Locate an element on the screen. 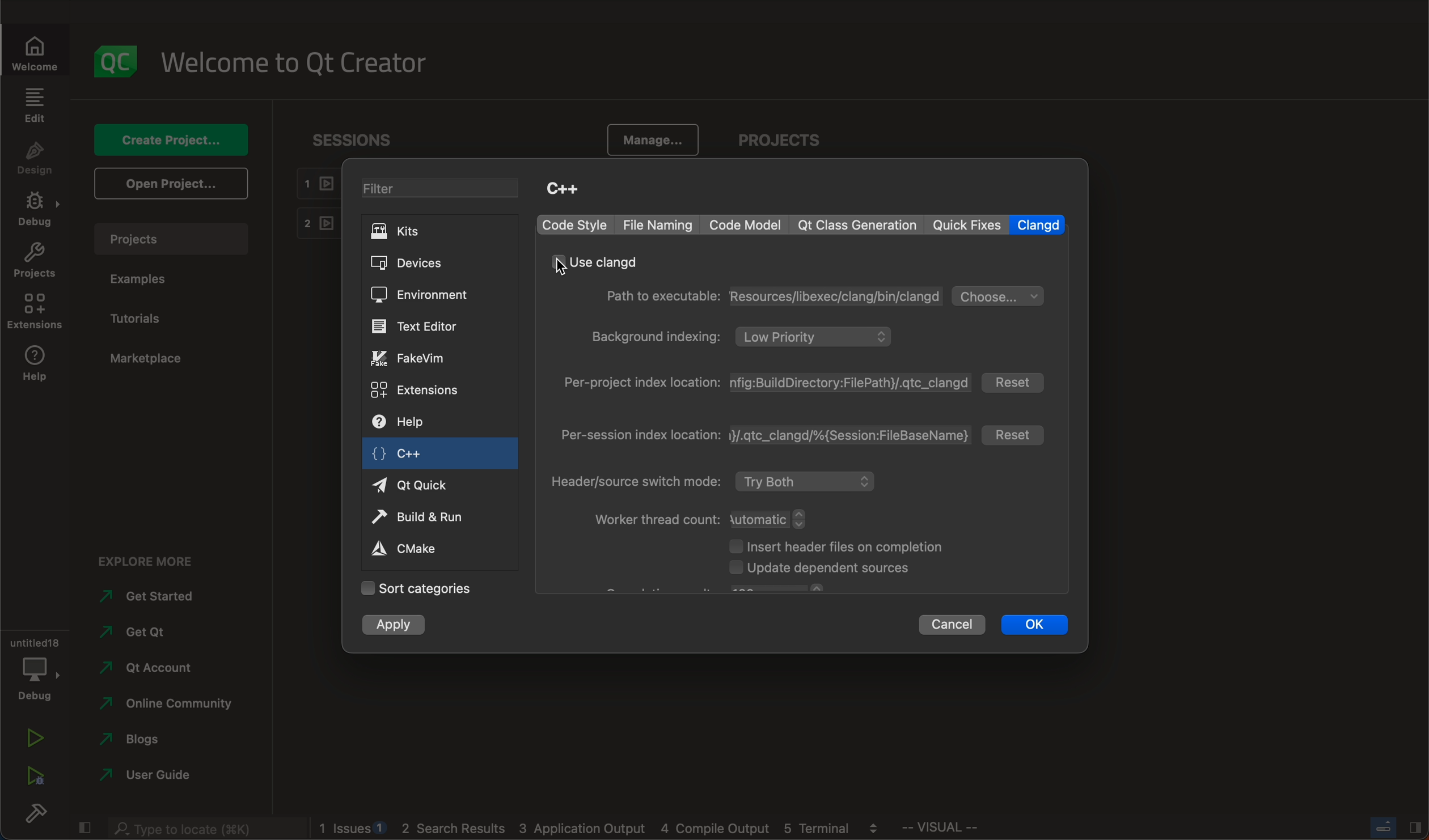 This screenshot has height=840, width=1429. sessions is located at coordinates (349, 139).